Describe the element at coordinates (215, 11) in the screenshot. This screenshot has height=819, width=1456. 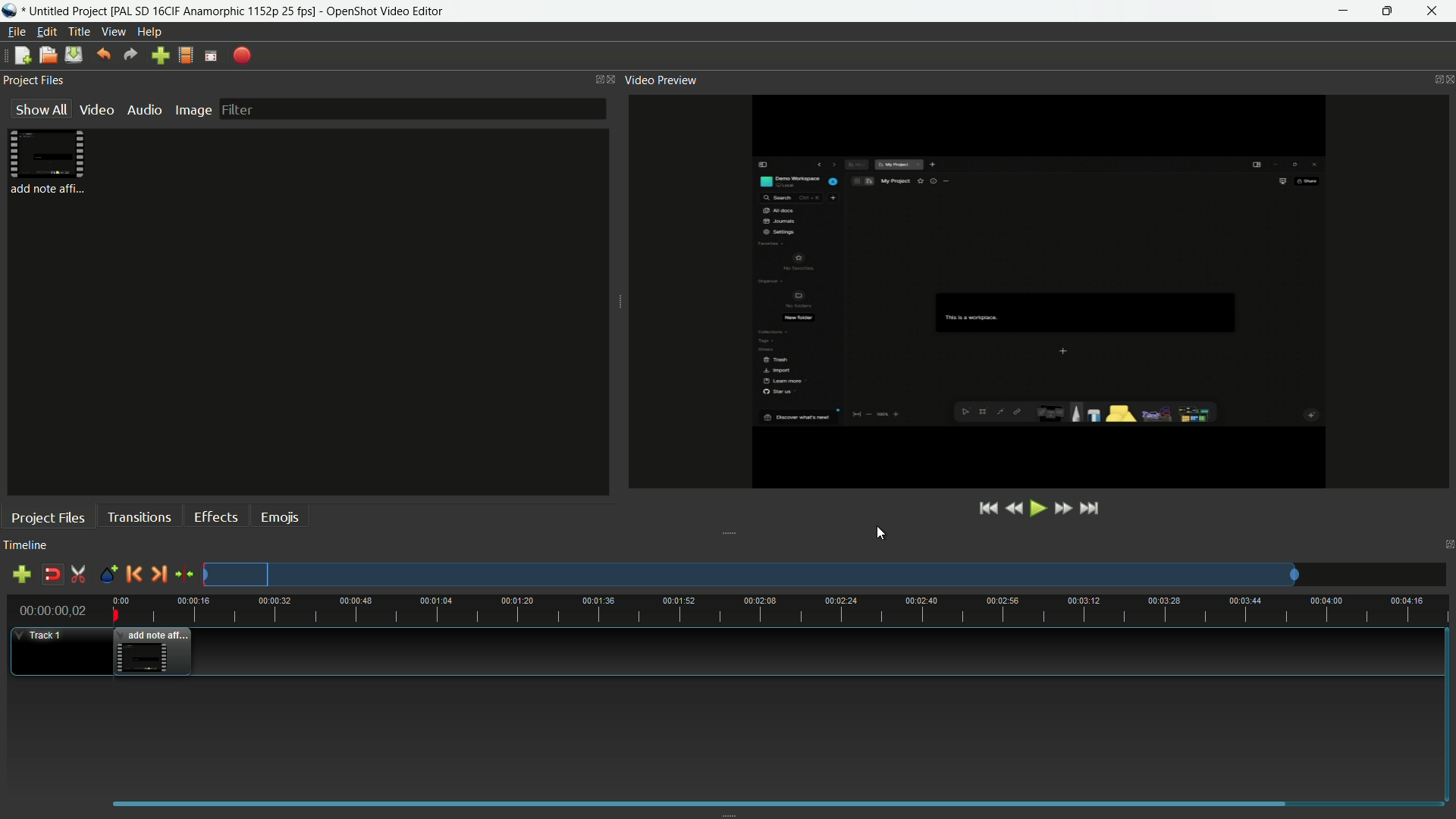
I see `profile` at that location.